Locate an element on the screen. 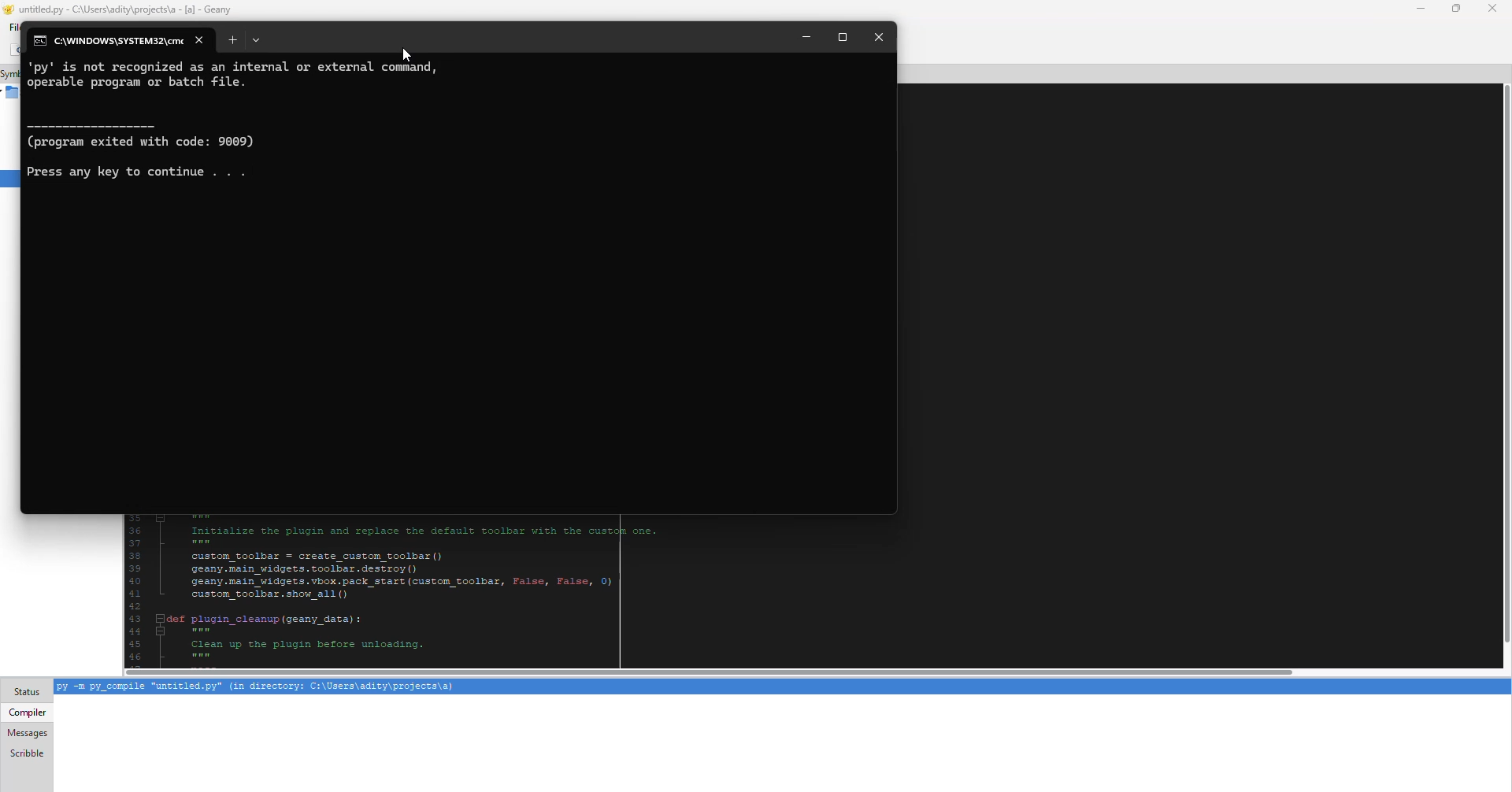  scribble is located at coordinates (28, 753).